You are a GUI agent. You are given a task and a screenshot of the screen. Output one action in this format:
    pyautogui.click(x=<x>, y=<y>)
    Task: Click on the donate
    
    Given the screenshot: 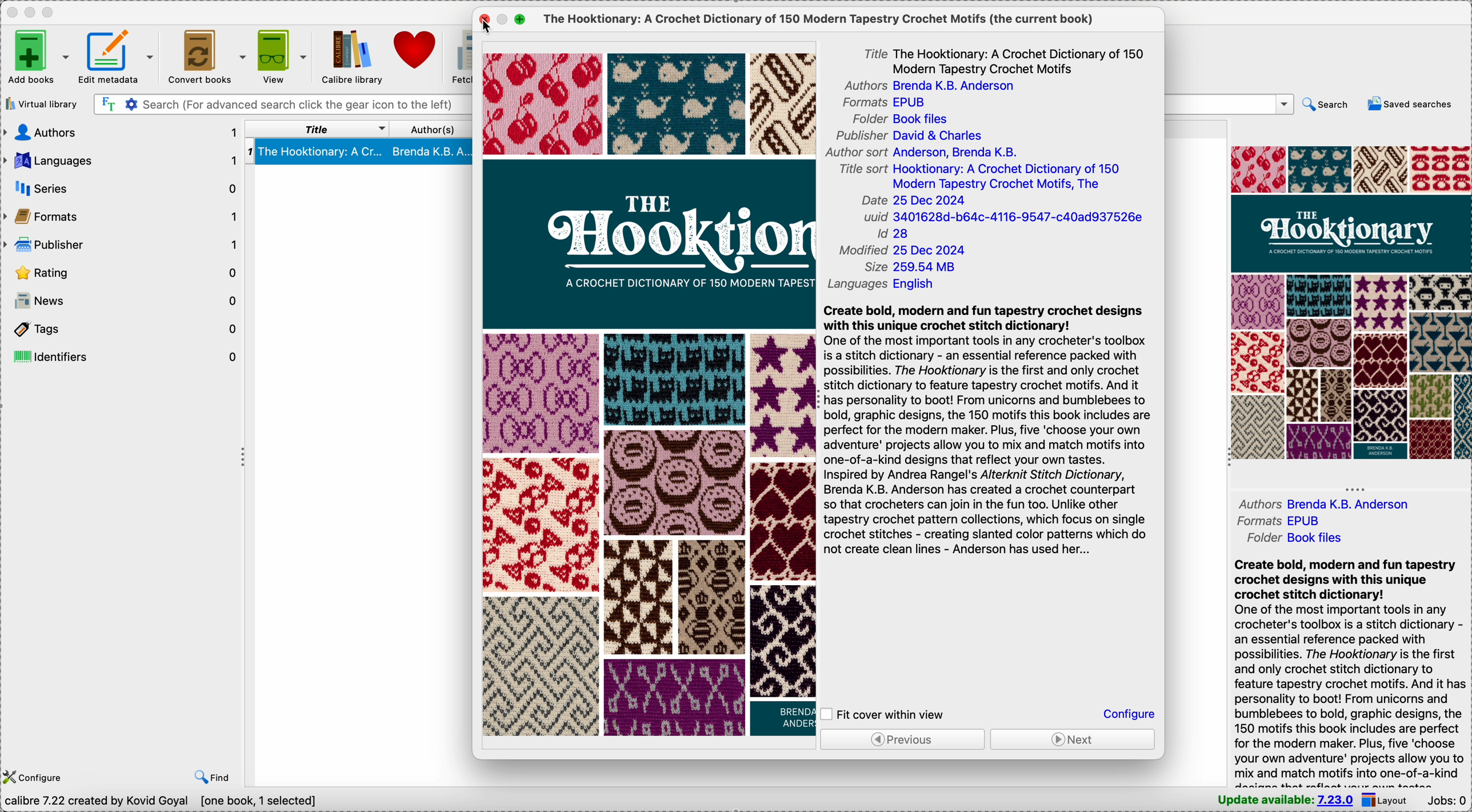 What is the action you would take?
    pyautogui.click(x=412, y=51)
    